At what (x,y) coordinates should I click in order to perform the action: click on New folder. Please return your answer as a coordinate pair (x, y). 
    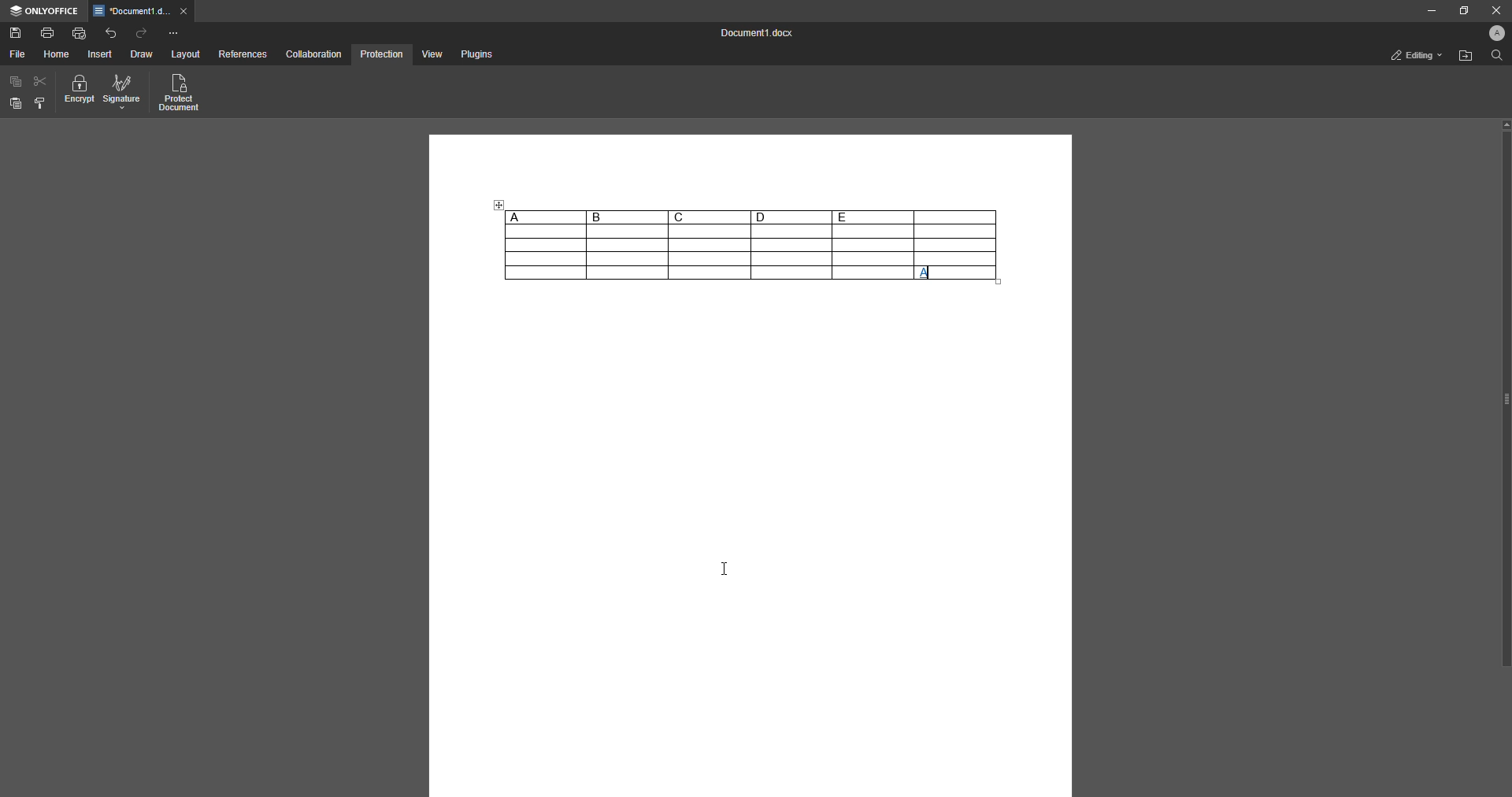
    Looking at the image, I should click on (1463, 57).